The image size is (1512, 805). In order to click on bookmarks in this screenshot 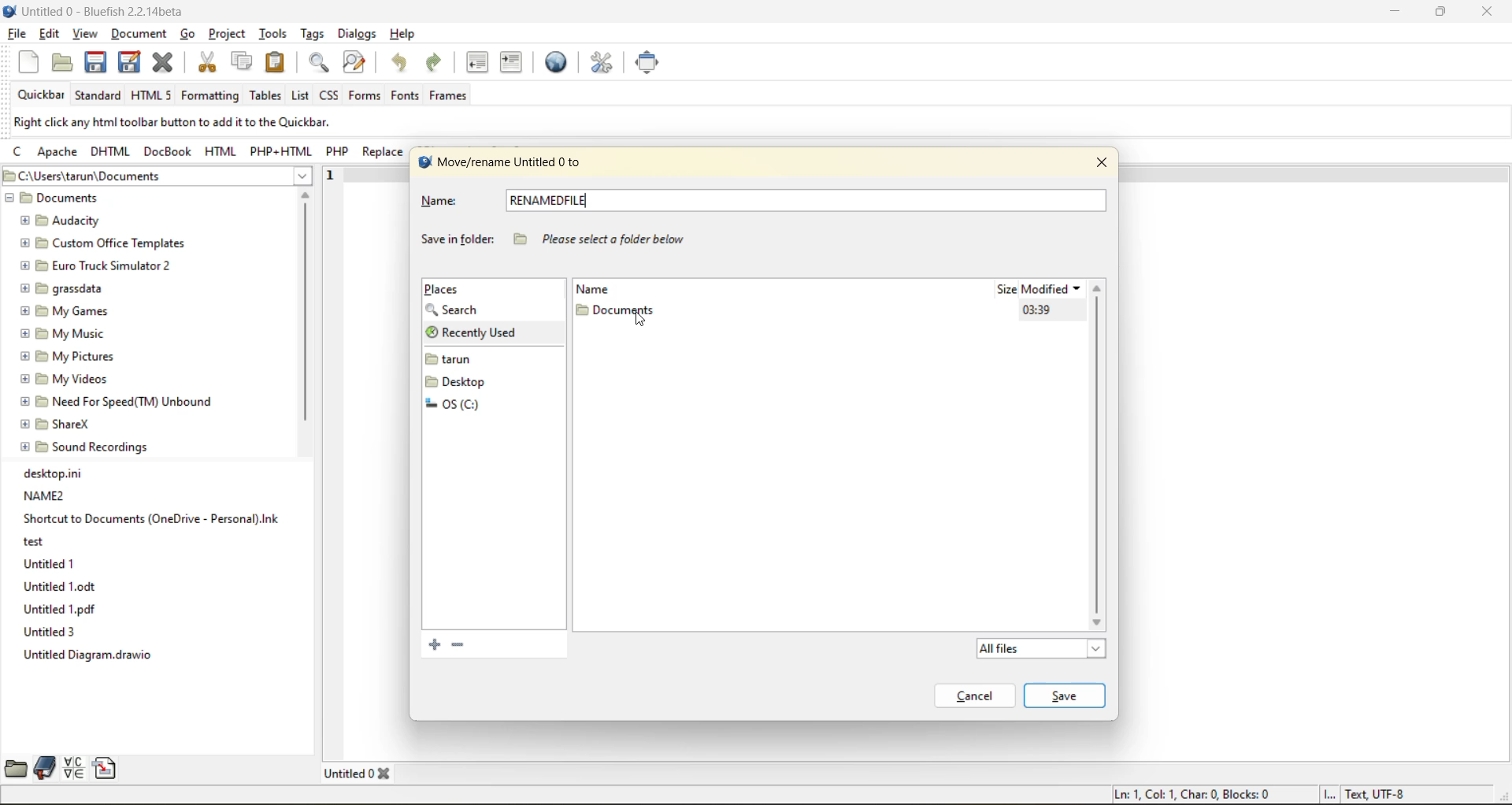, I will do `click(43, 769)`.